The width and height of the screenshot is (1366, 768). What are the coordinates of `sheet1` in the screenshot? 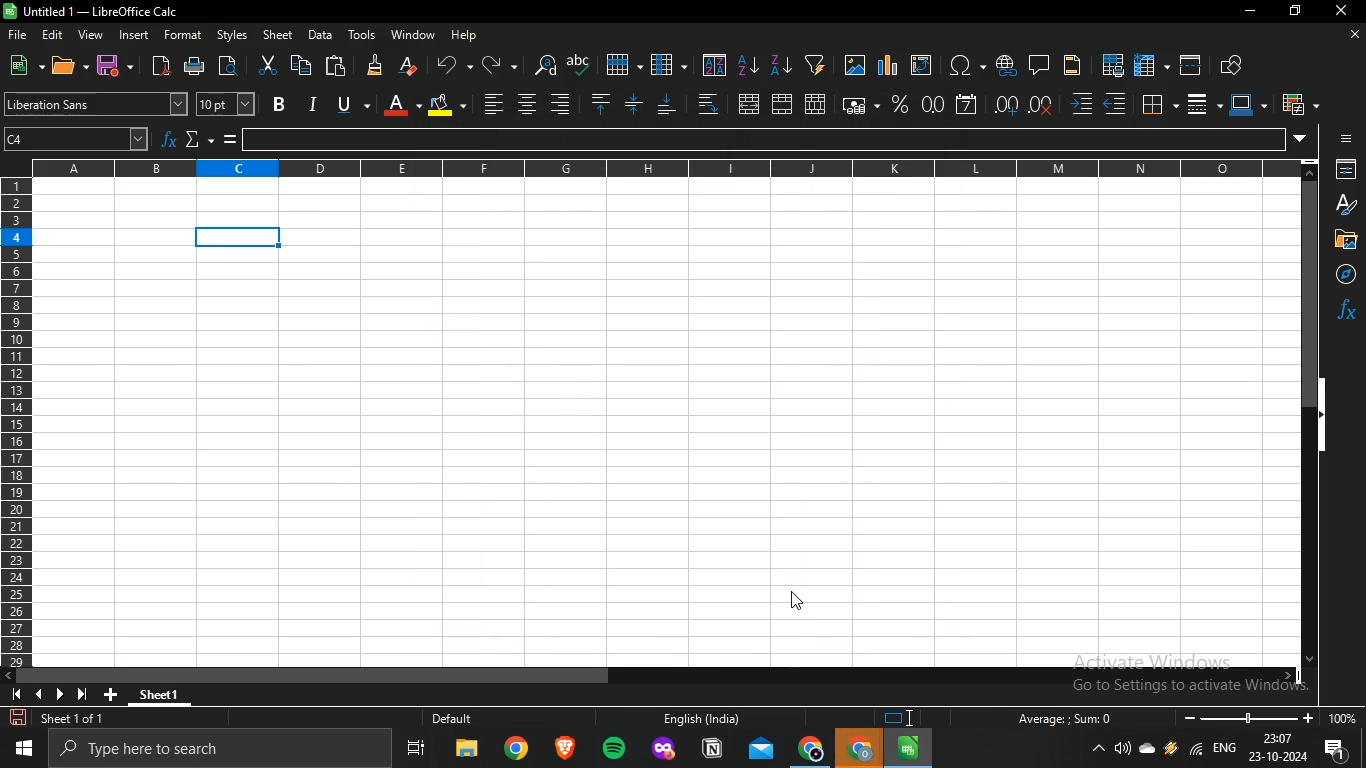 It's located at (171, 692).